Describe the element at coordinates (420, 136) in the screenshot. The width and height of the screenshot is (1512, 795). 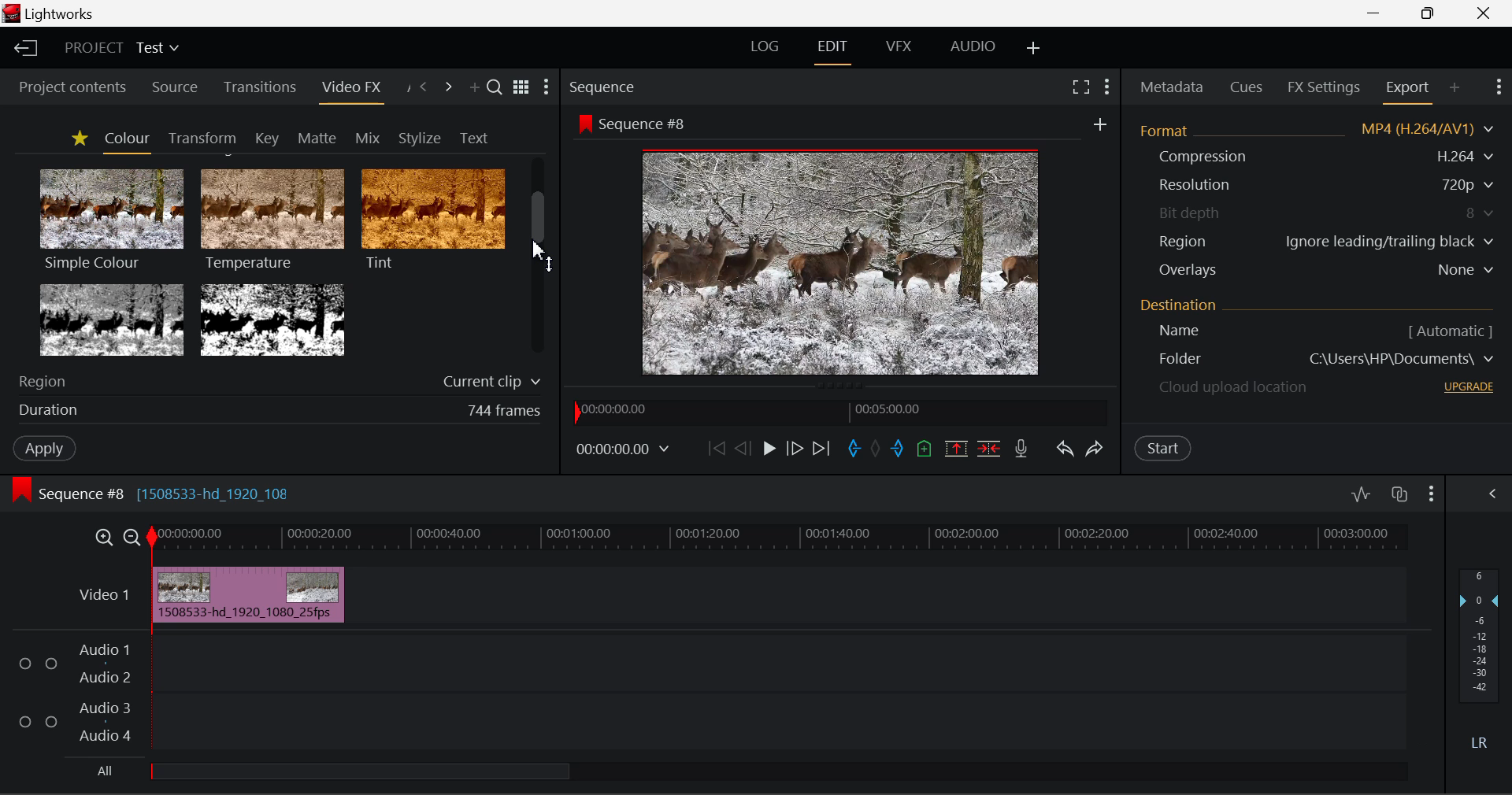
I see `Stylize` at that location.